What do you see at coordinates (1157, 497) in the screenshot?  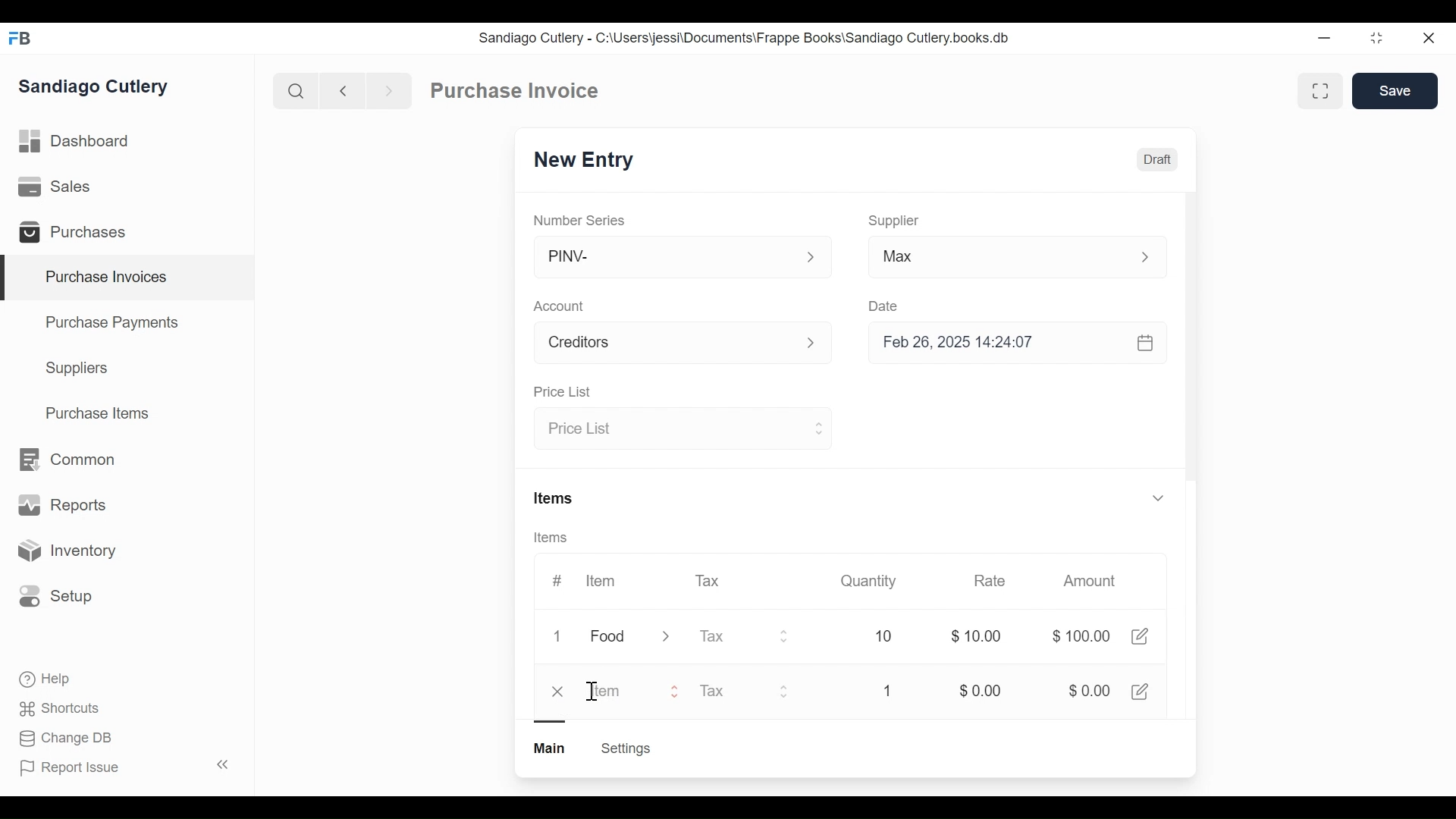 I see `Expand` at bounding box center [1157, 497].